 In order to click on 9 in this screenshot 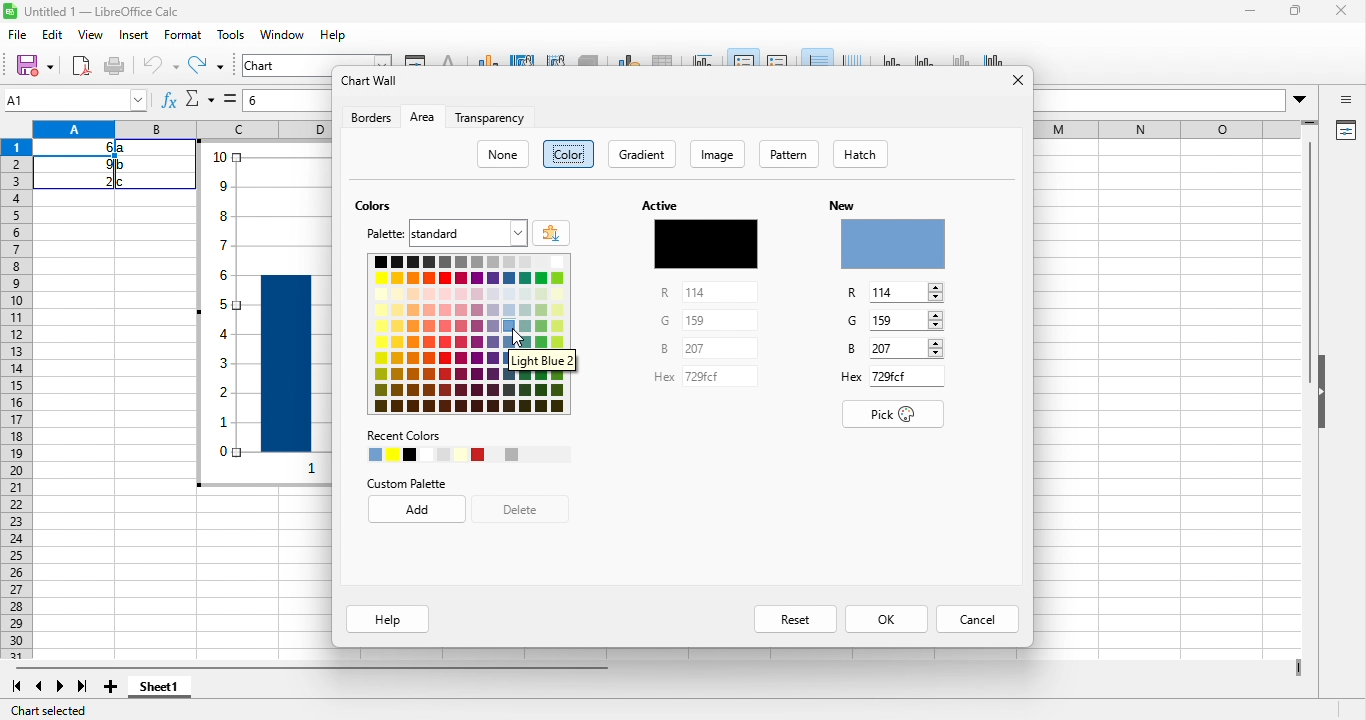, I will do `click(104, 165)`.